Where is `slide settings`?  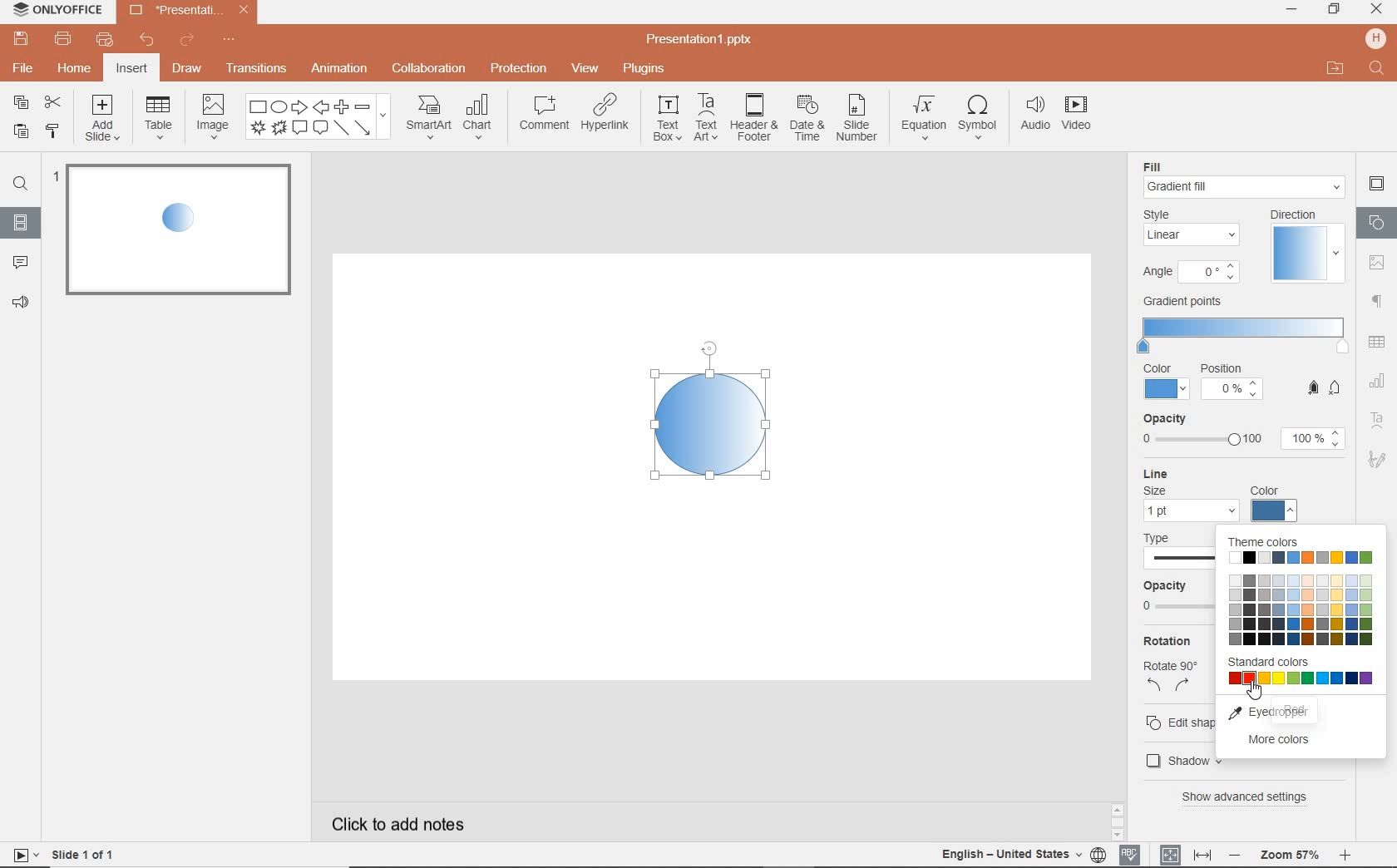
slide settings is located at coordinates (1376, 184).